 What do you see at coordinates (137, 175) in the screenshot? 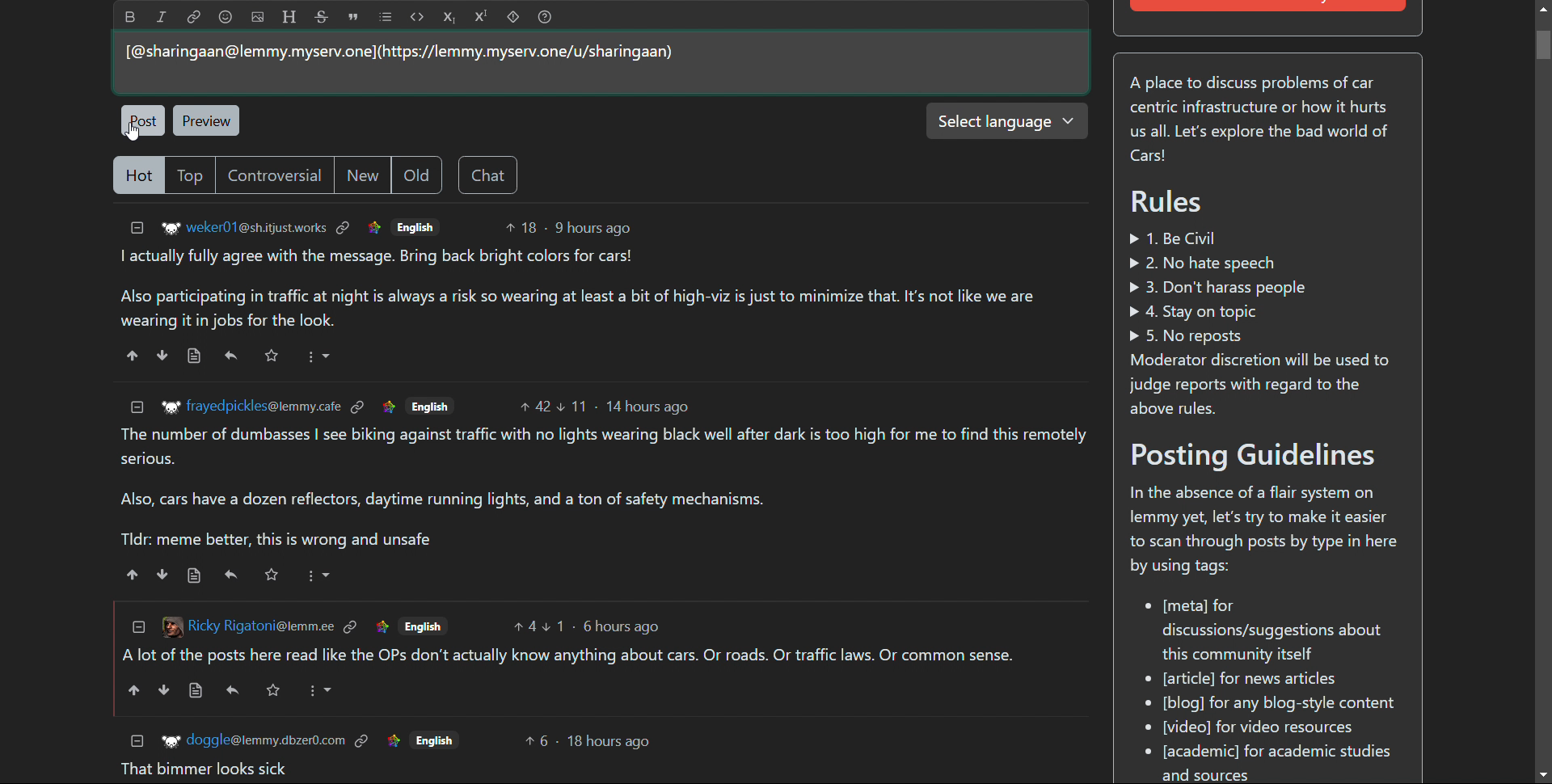
I see `hot` at bounding box center [137, 175].